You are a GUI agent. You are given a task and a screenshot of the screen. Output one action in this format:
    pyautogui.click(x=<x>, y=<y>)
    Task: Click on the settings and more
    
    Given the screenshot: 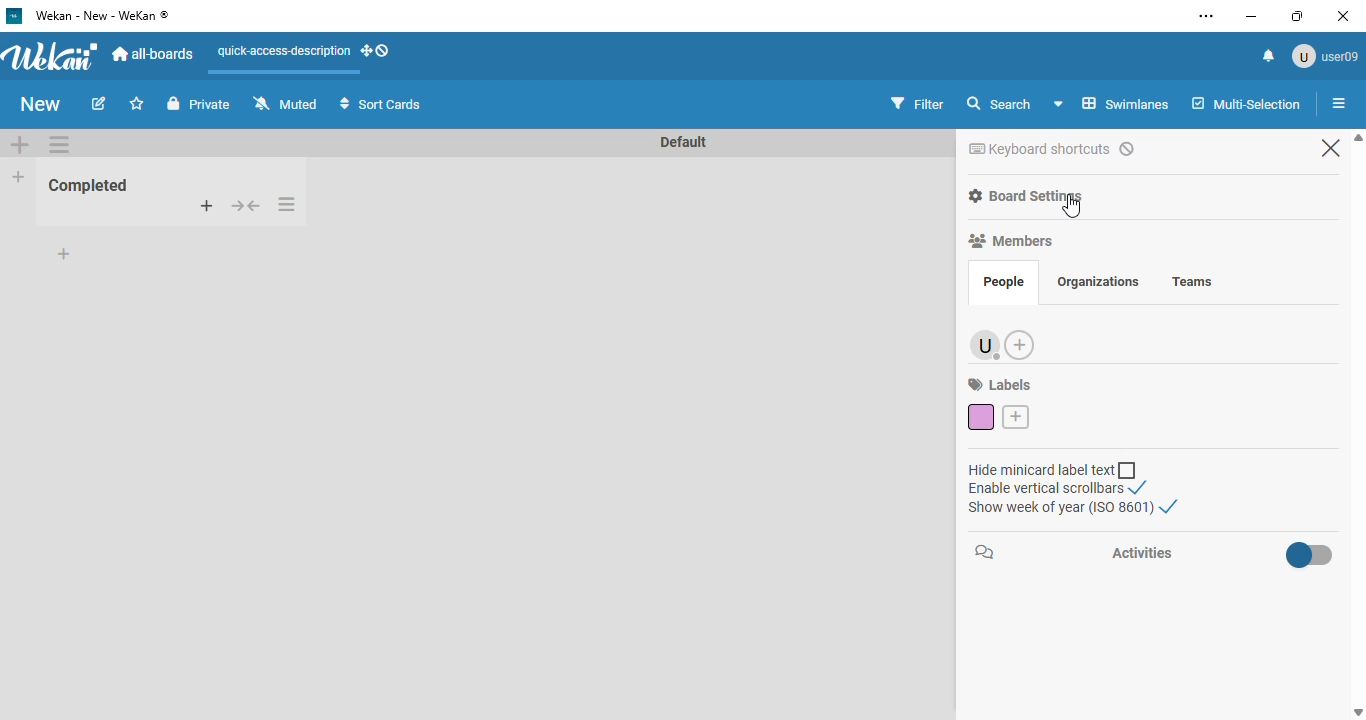 What is the action you would take?
    pyautogui.click(x=1210, y=16)
    